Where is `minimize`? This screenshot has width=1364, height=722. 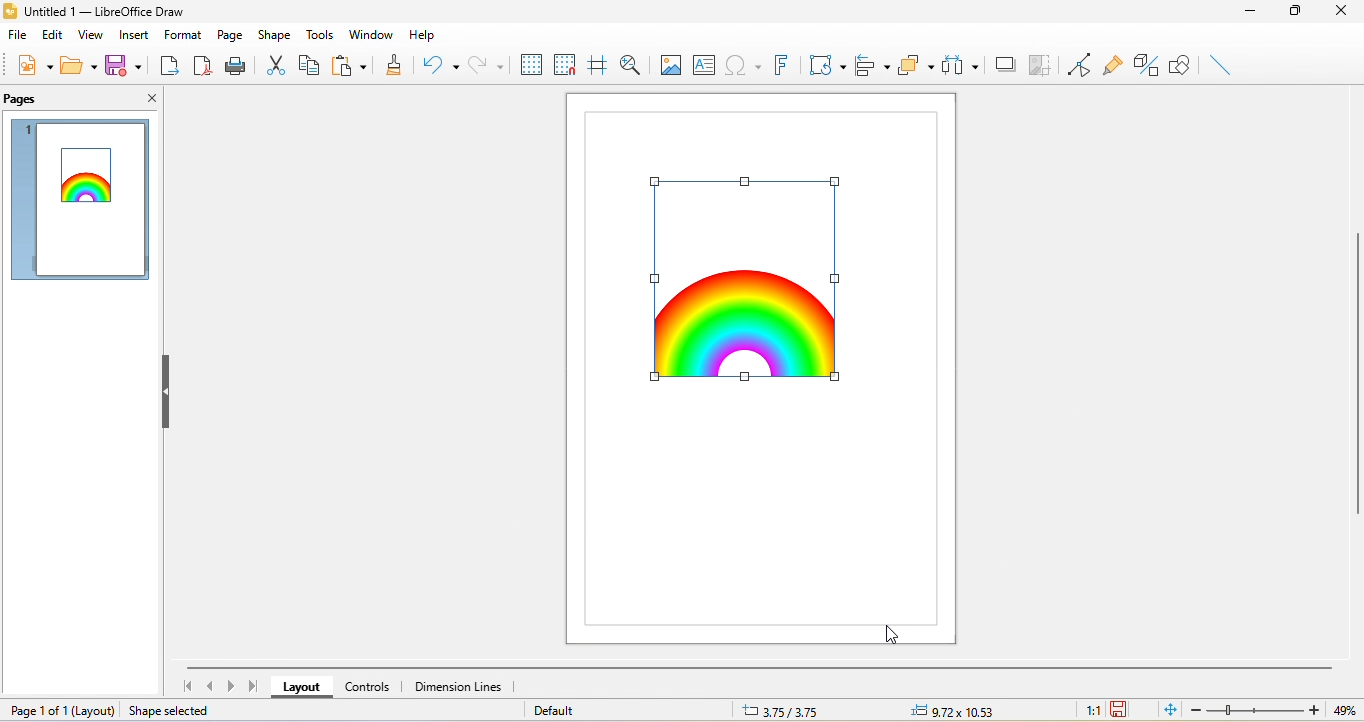 minimize is located at coordinates (1250, 13).